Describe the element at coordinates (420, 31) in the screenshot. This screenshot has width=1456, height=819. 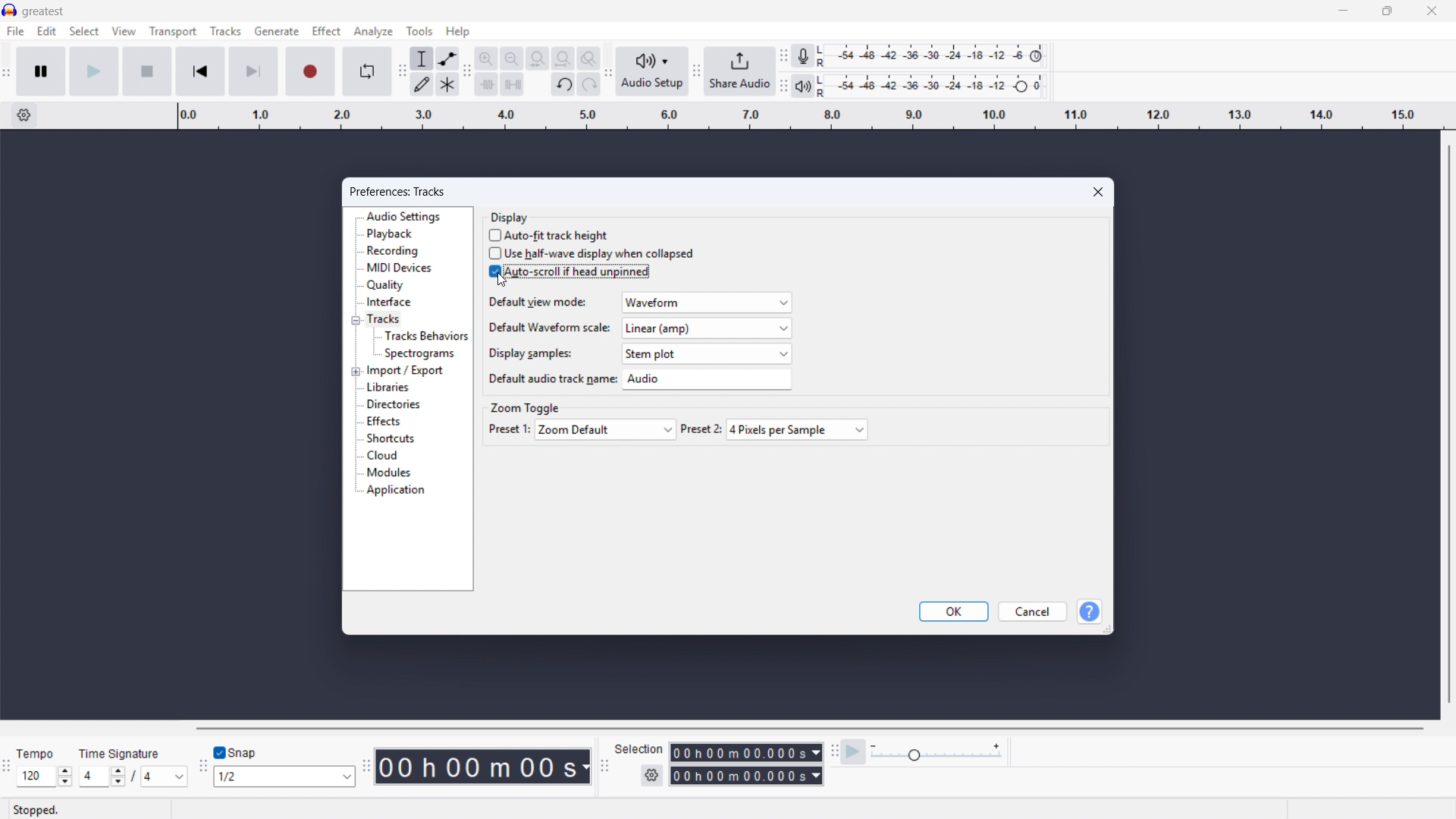
I see `Tools ` at that location.